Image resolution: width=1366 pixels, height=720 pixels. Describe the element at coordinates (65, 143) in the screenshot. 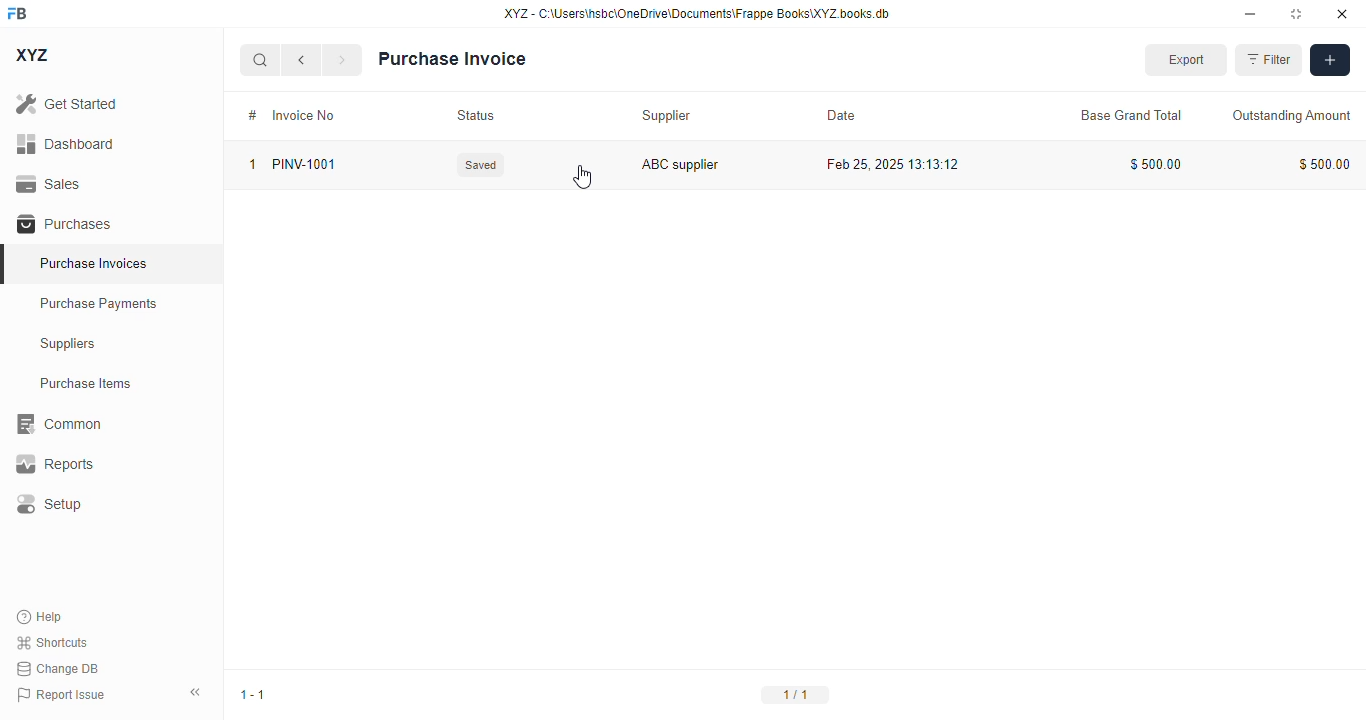

I see `dashboard` at that location.